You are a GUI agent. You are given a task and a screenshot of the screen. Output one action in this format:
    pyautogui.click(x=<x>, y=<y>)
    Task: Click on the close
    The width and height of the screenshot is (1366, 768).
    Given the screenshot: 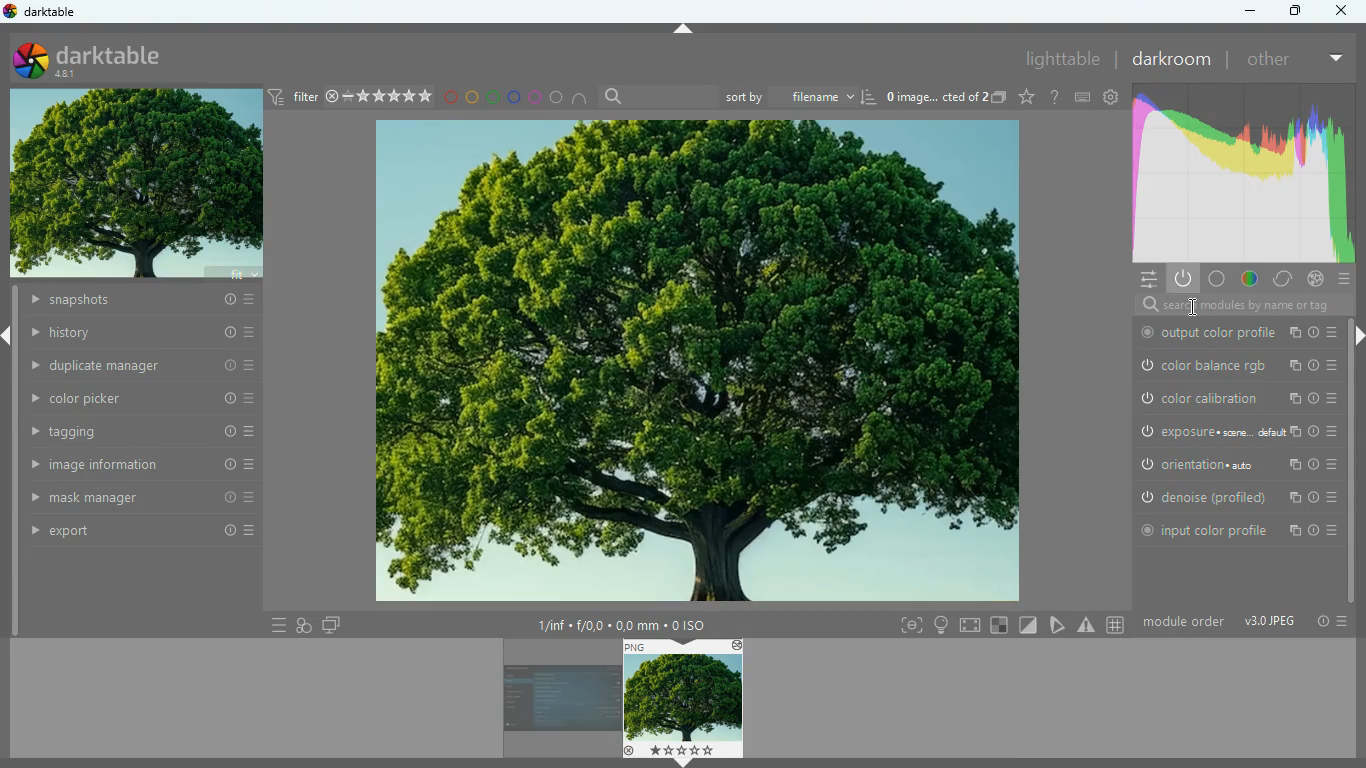 What is the action you would take?
    pyautogui.click(x=1346, y=11)
    